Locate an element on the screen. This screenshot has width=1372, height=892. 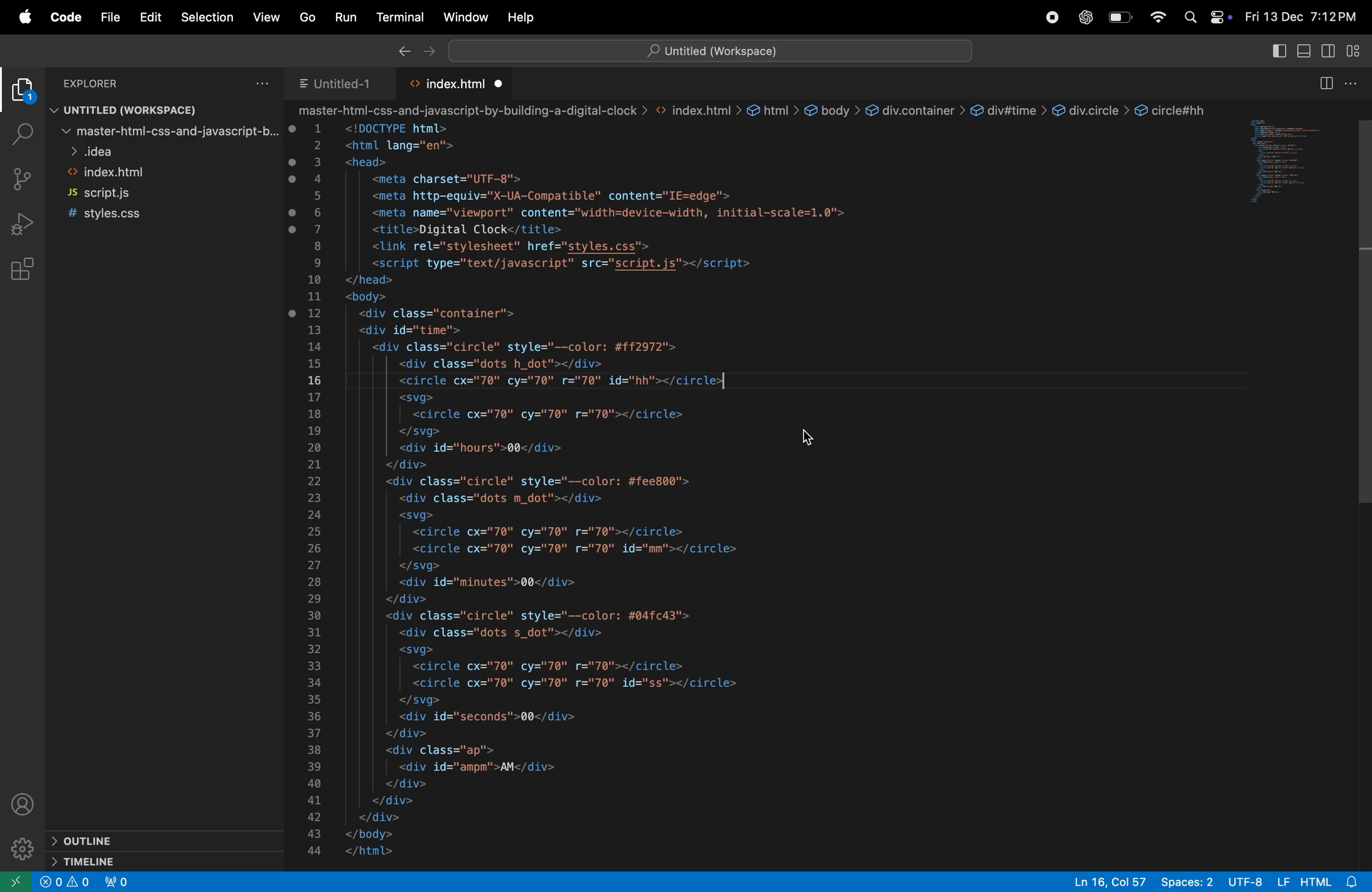
search is located at coordinates (19, 133).